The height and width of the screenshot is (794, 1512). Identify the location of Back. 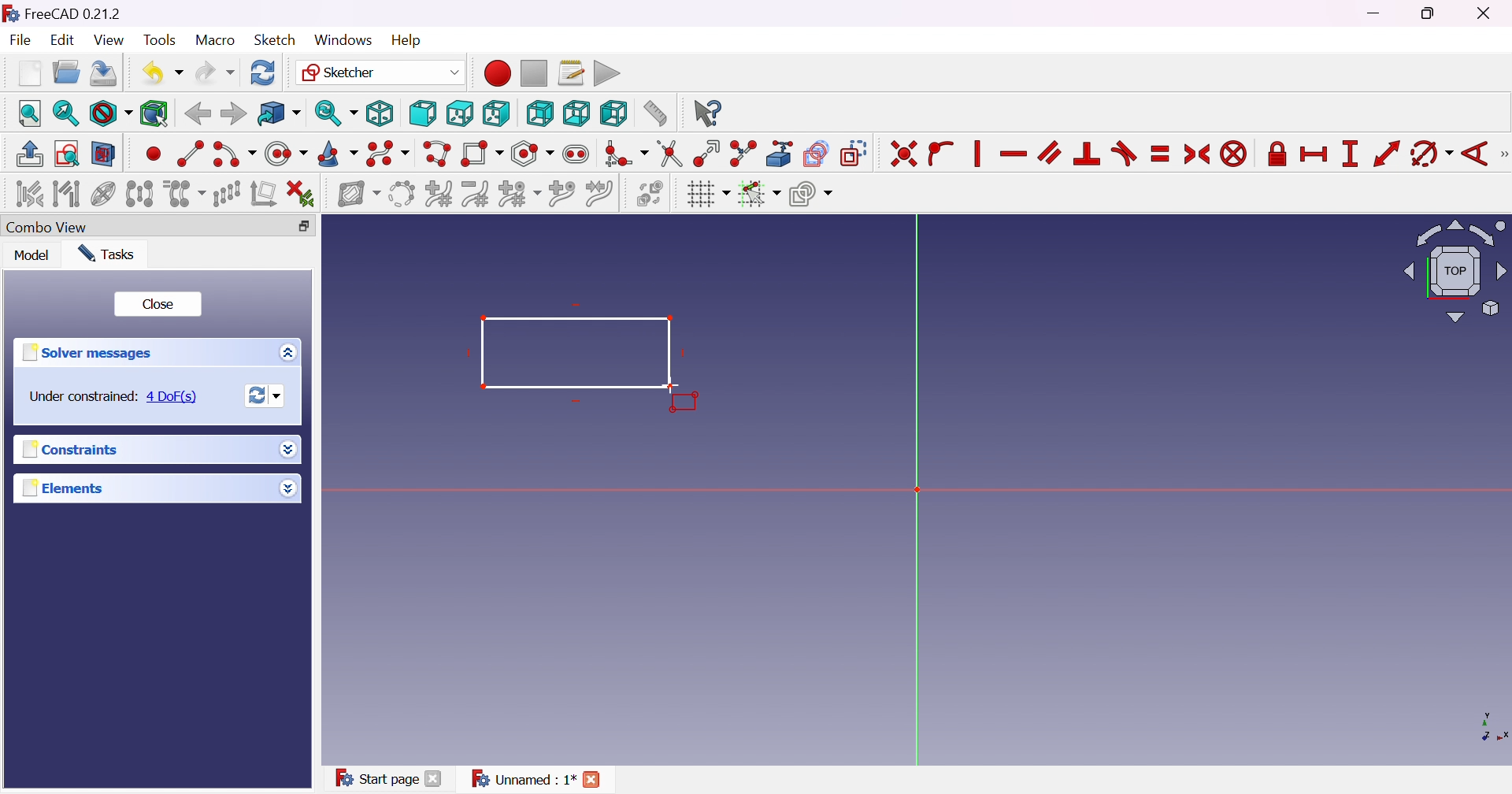
(197, 114).